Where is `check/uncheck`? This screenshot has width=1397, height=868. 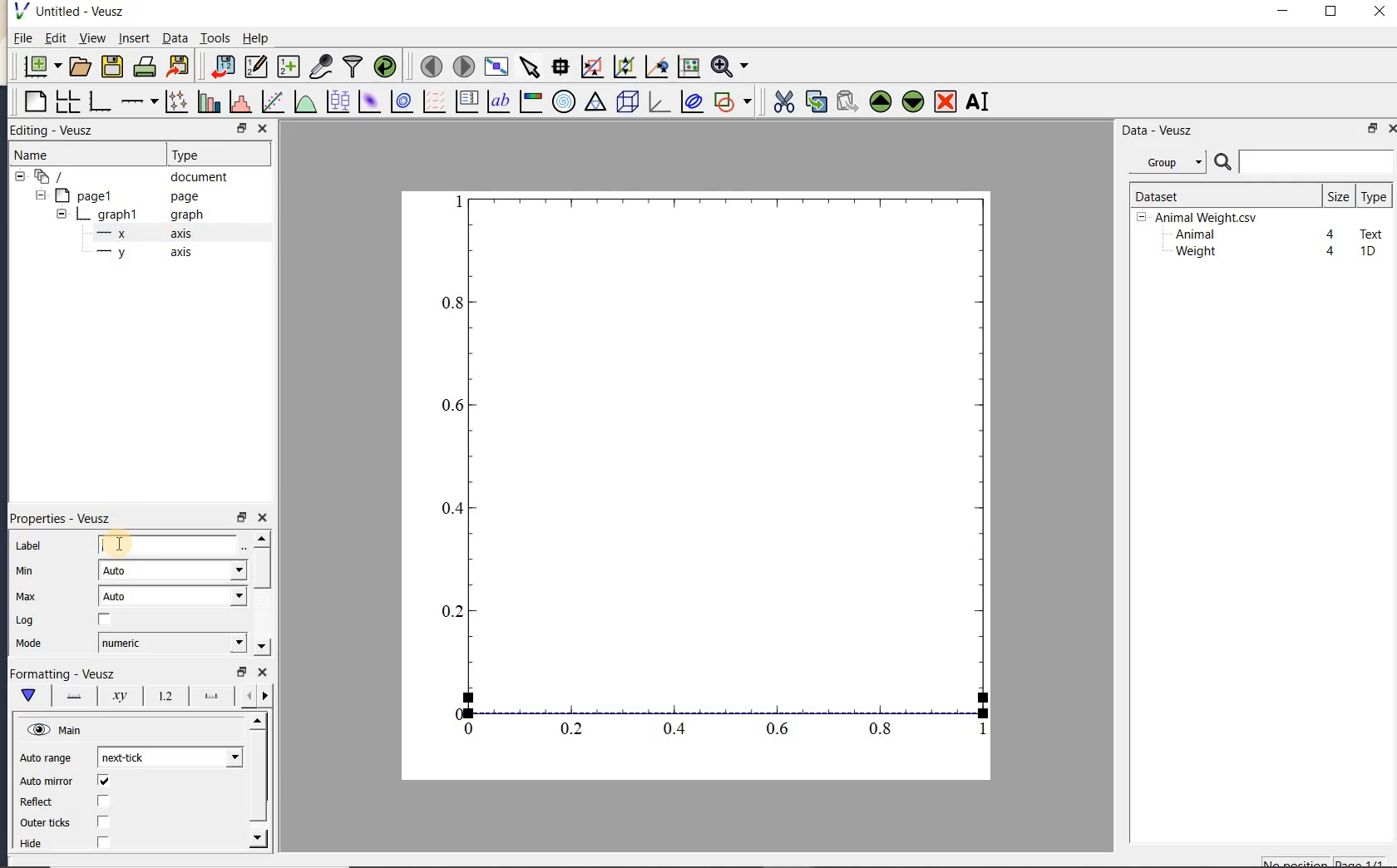
check/uncheck is located at coordinates (102, 841).